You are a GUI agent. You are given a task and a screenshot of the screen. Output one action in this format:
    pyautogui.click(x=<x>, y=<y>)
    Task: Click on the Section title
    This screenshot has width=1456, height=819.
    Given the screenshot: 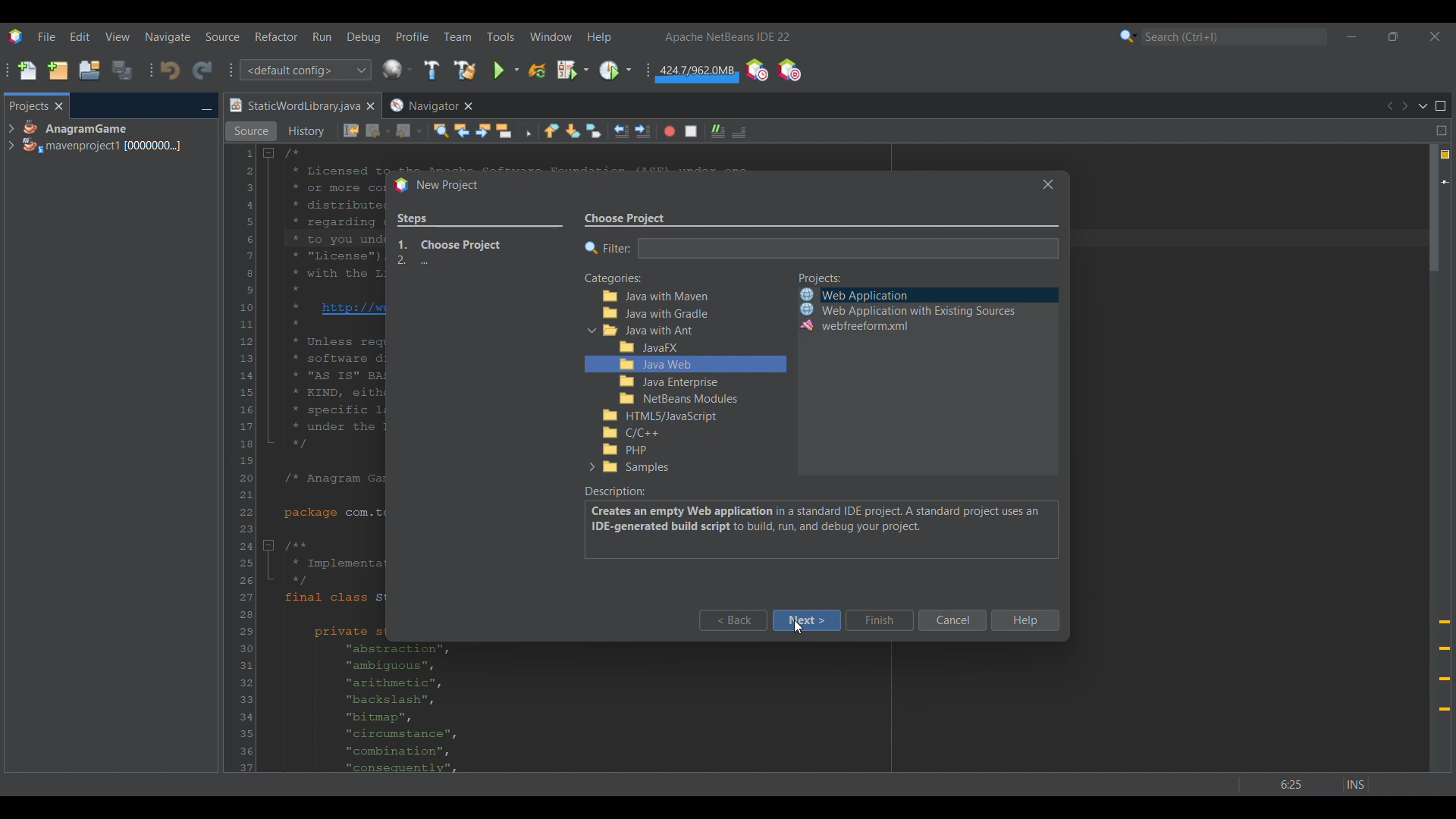 What is the action you would take?
    pyautogui.click(x=613, y=279)
    